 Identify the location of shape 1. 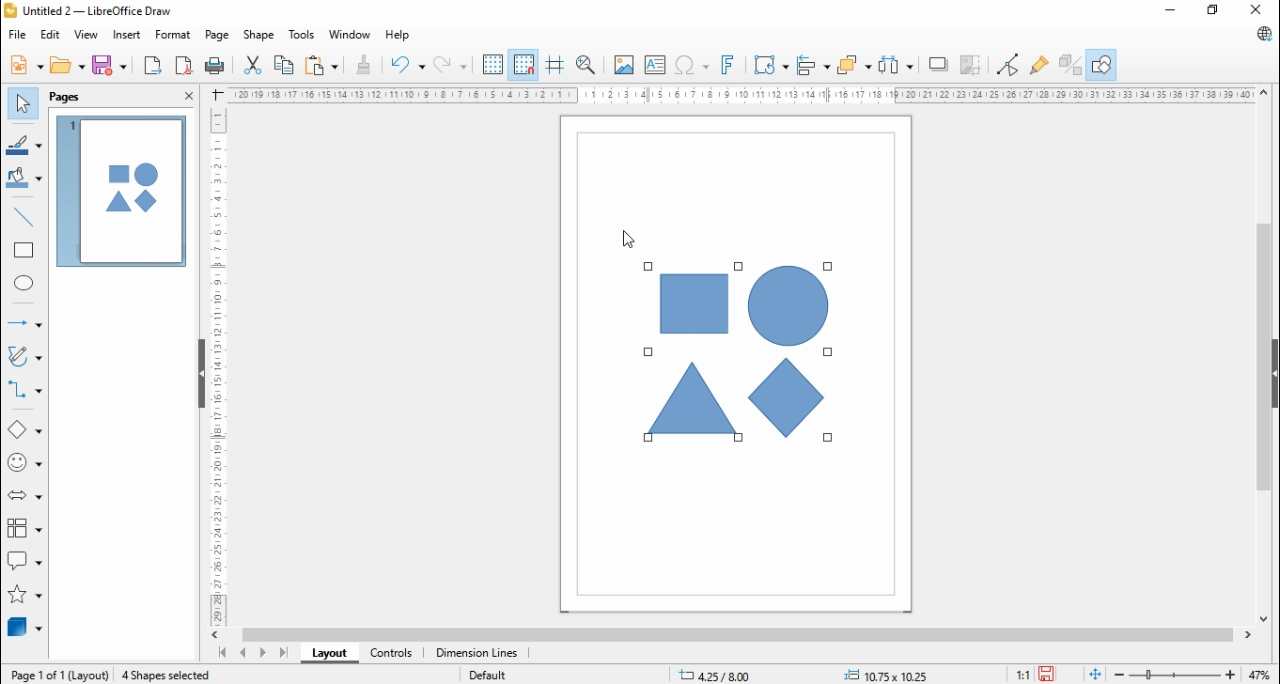
(693, 304).